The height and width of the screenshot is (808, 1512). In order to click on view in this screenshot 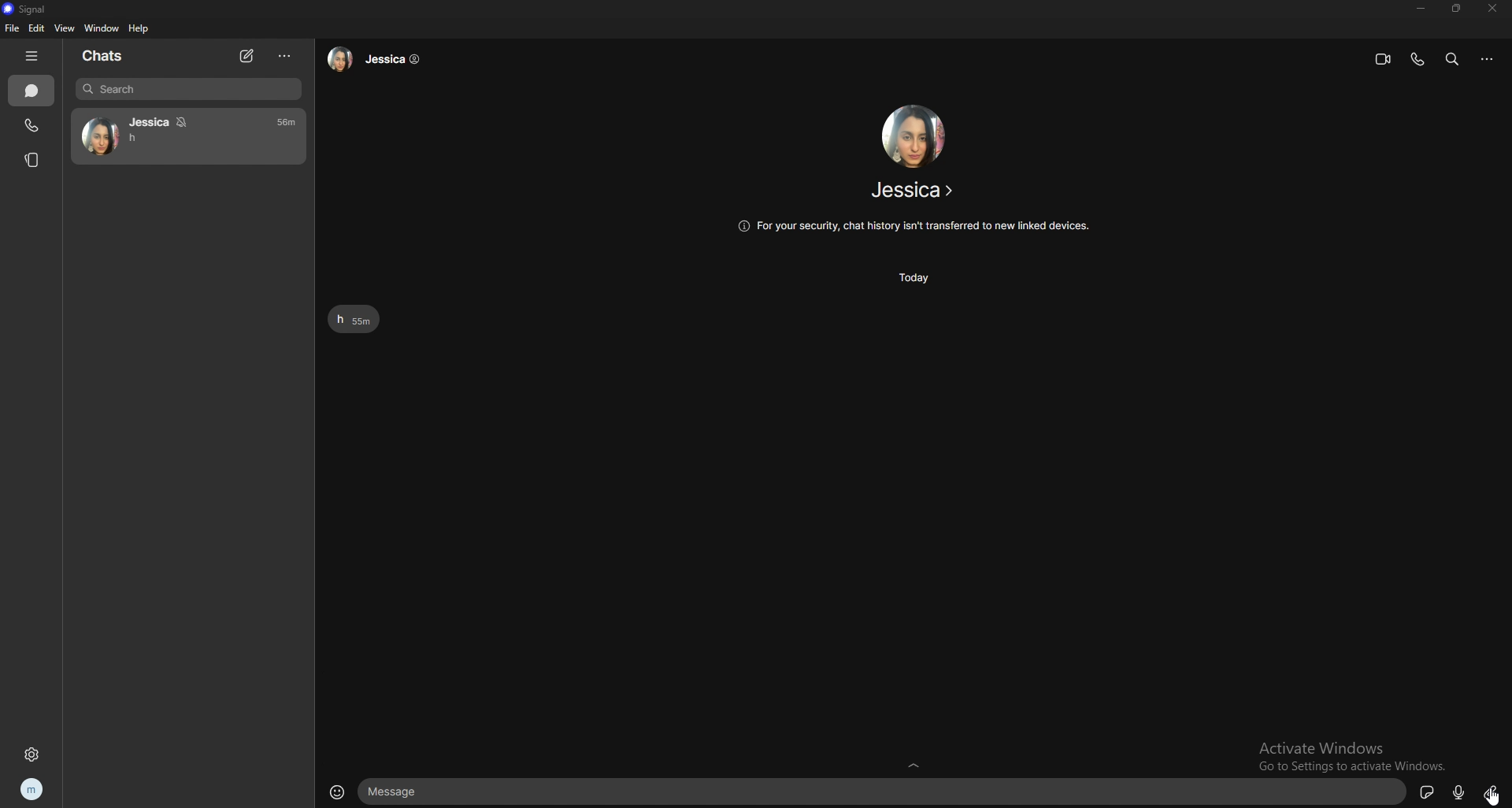, I will do `click(65, 28)`.